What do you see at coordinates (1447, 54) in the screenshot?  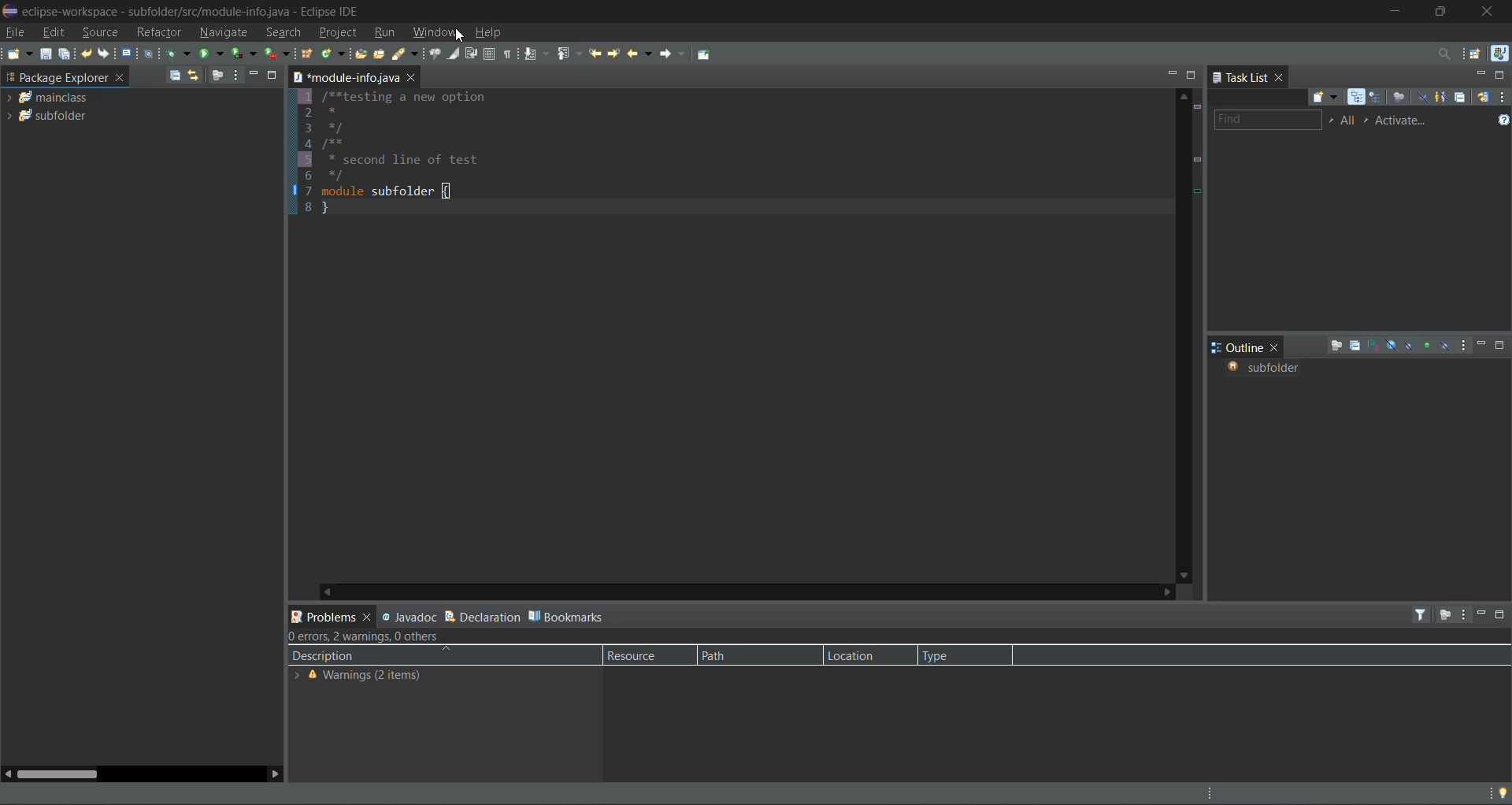 I see `access commands and other items` at bounding box center [1447, 54].